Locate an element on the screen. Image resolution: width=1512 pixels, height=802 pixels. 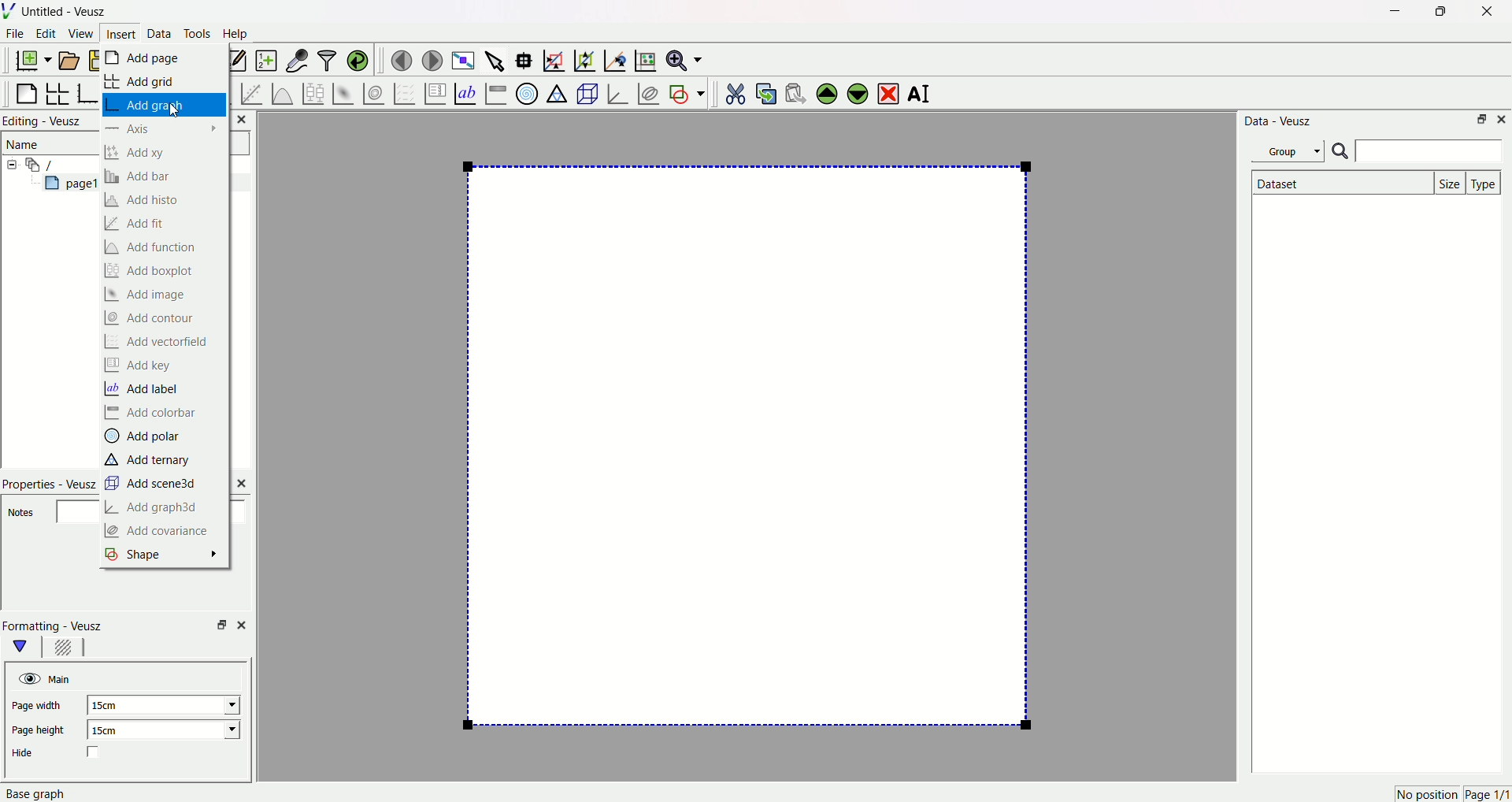
no position is located at coordinates (1425, 794).